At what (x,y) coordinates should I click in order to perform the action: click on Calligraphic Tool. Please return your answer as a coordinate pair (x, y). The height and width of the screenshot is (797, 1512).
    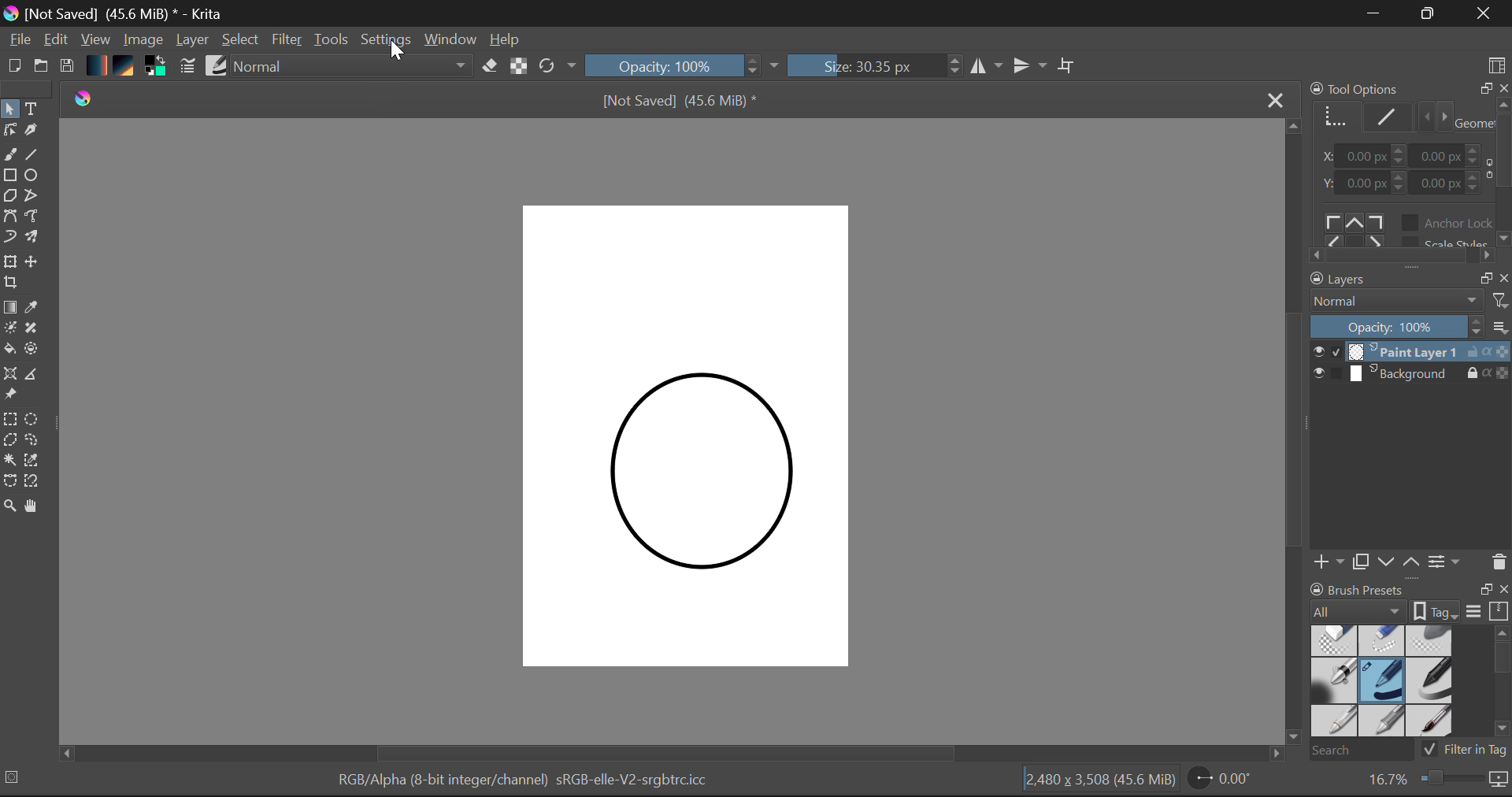
    Looking at the image, I should click on (36, 132).